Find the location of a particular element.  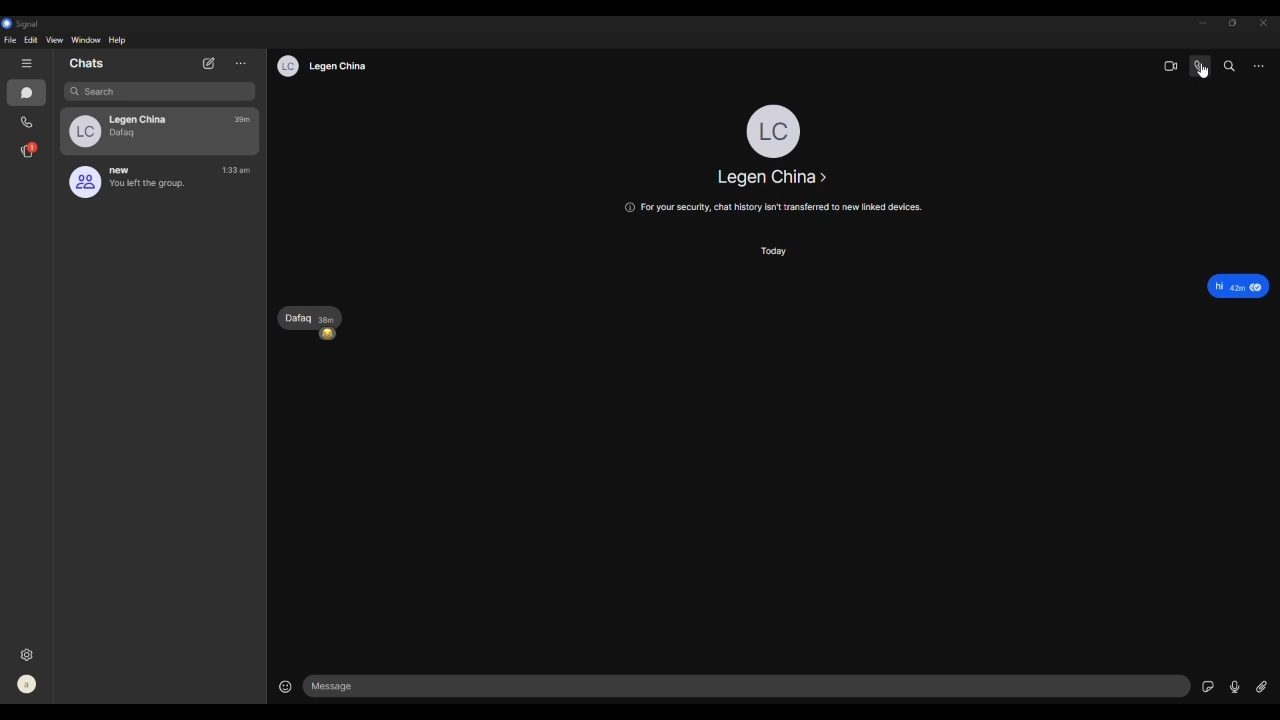

signal is located at coordinates (24, 24).